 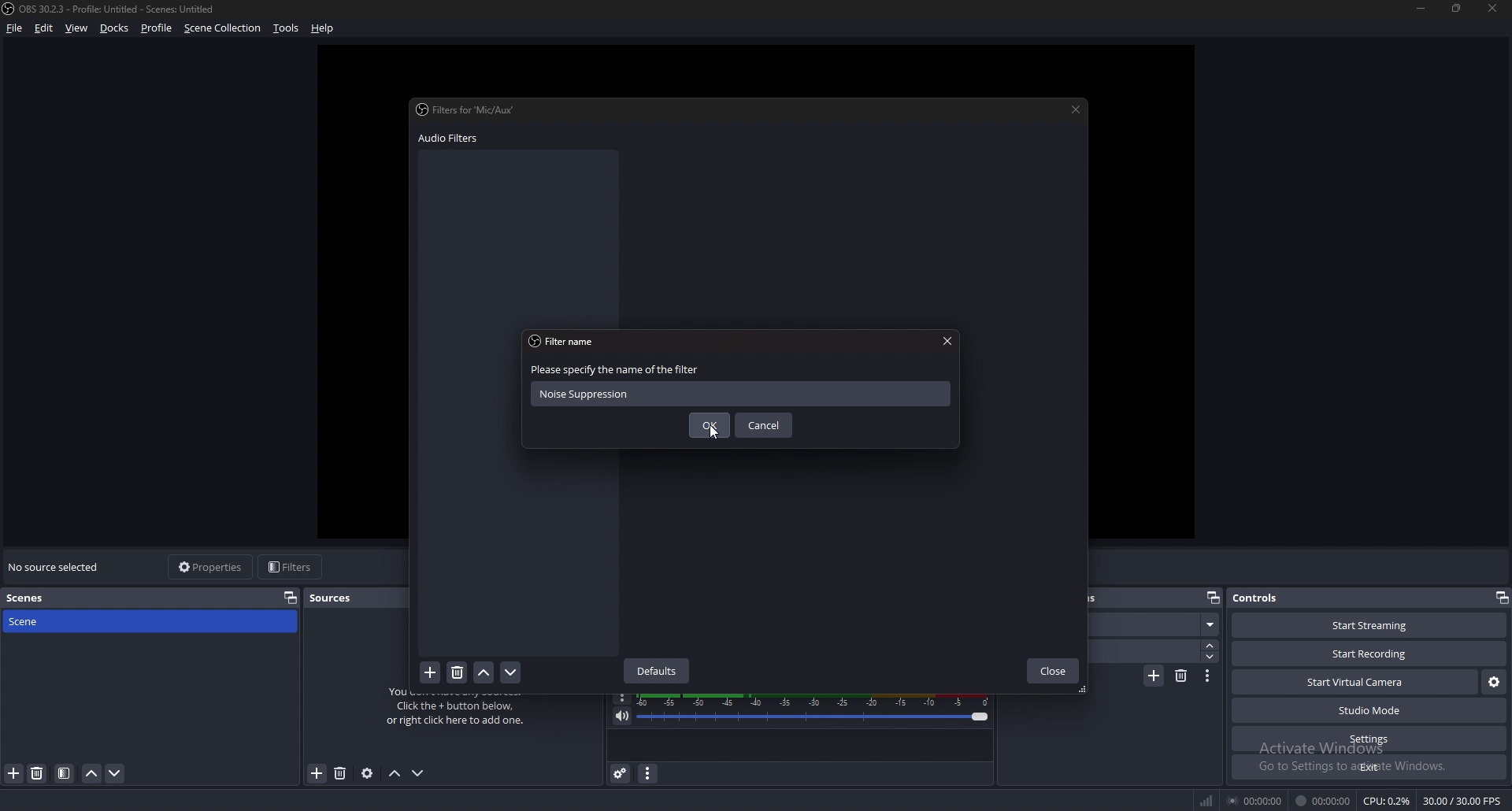 What do you see at coordinates (1212, 598) in the screenshot?
I see `pop out` at bounding box center [1212, 598].